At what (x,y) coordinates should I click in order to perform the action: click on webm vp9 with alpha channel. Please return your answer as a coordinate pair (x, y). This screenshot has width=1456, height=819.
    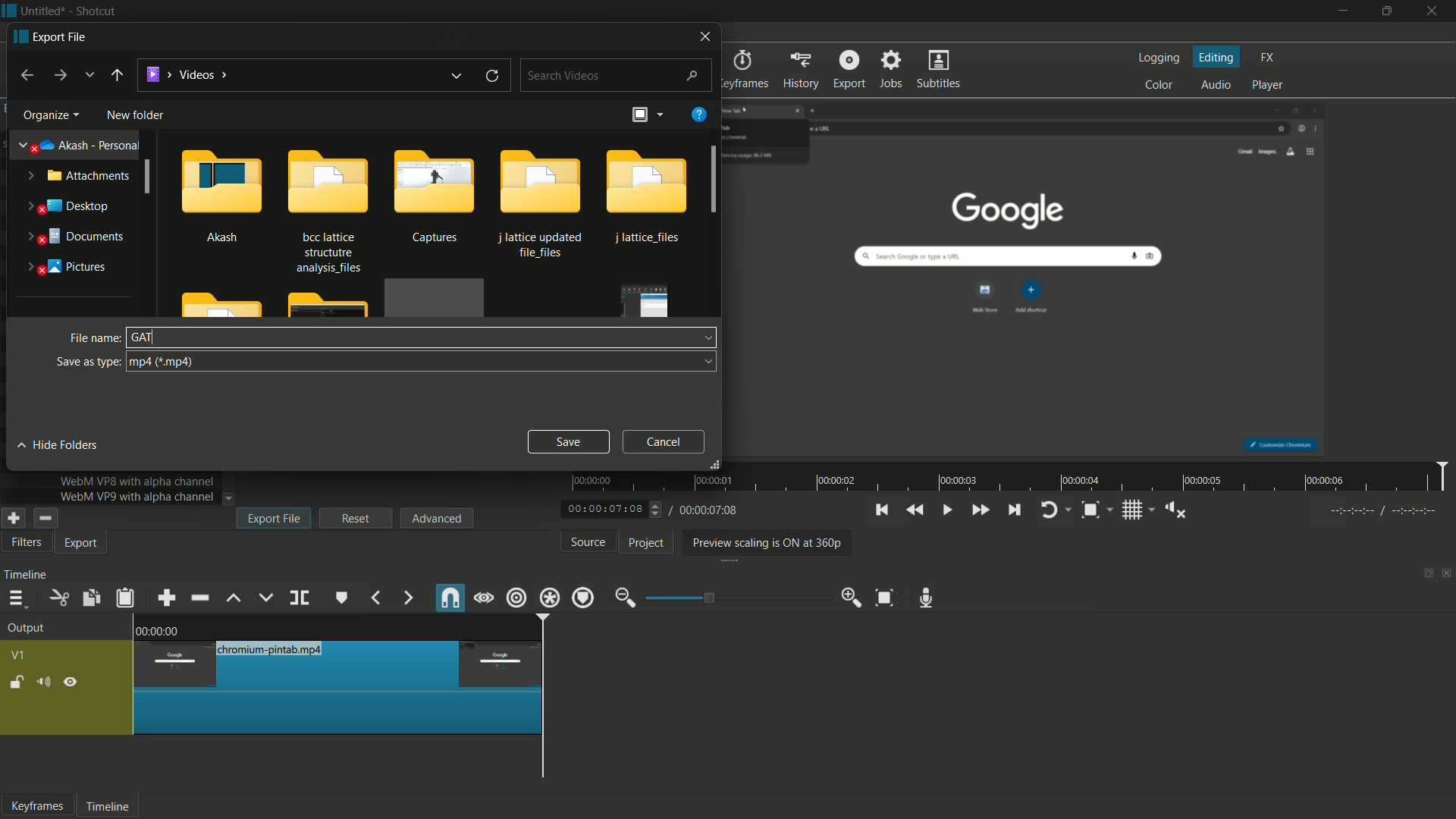
    Looking at the image, I should click on (133, 497).